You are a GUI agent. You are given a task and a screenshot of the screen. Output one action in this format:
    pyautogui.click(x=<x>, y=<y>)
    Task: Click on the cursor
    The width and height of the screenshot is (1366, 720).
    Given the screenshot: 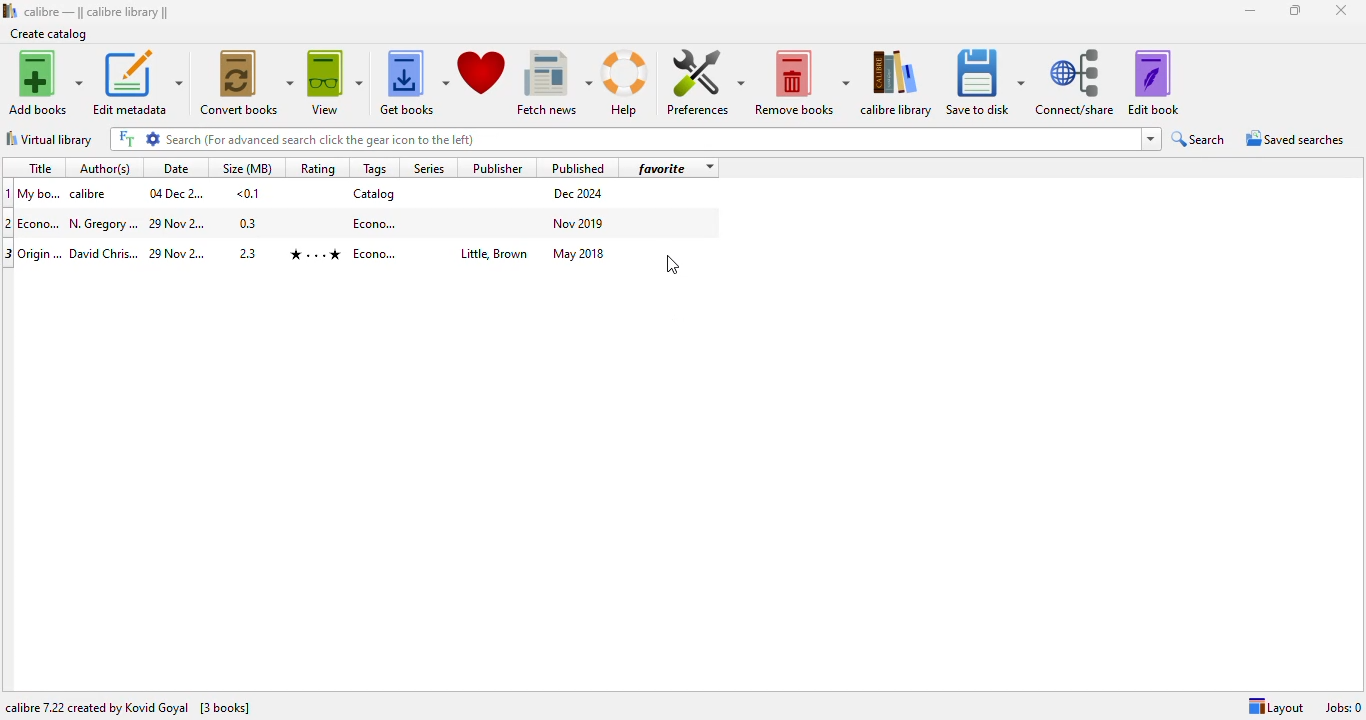 What is the action you would take?
    pyautogui.click(x=673, y=264)
    